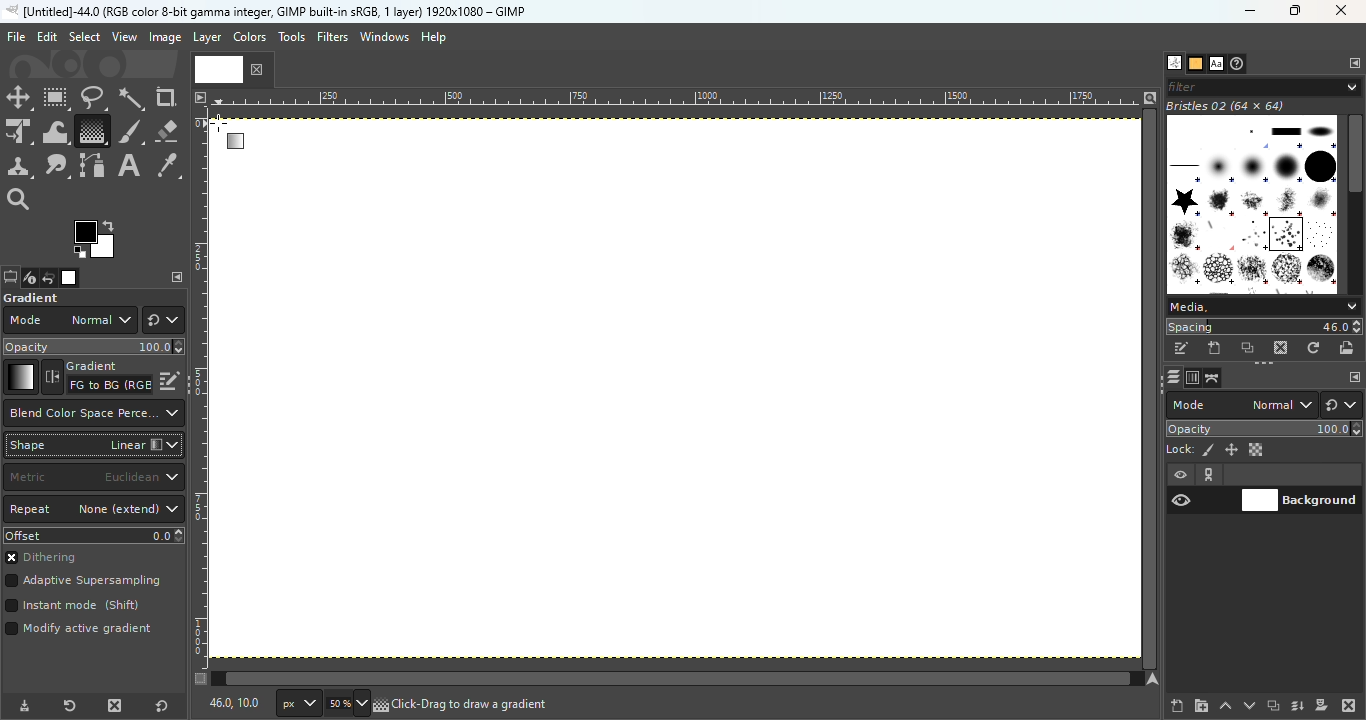 The image size is (1366, 720). Describe the element at coordinates (20, 197) in the screenshot. I see `Zoom tool` at that location.